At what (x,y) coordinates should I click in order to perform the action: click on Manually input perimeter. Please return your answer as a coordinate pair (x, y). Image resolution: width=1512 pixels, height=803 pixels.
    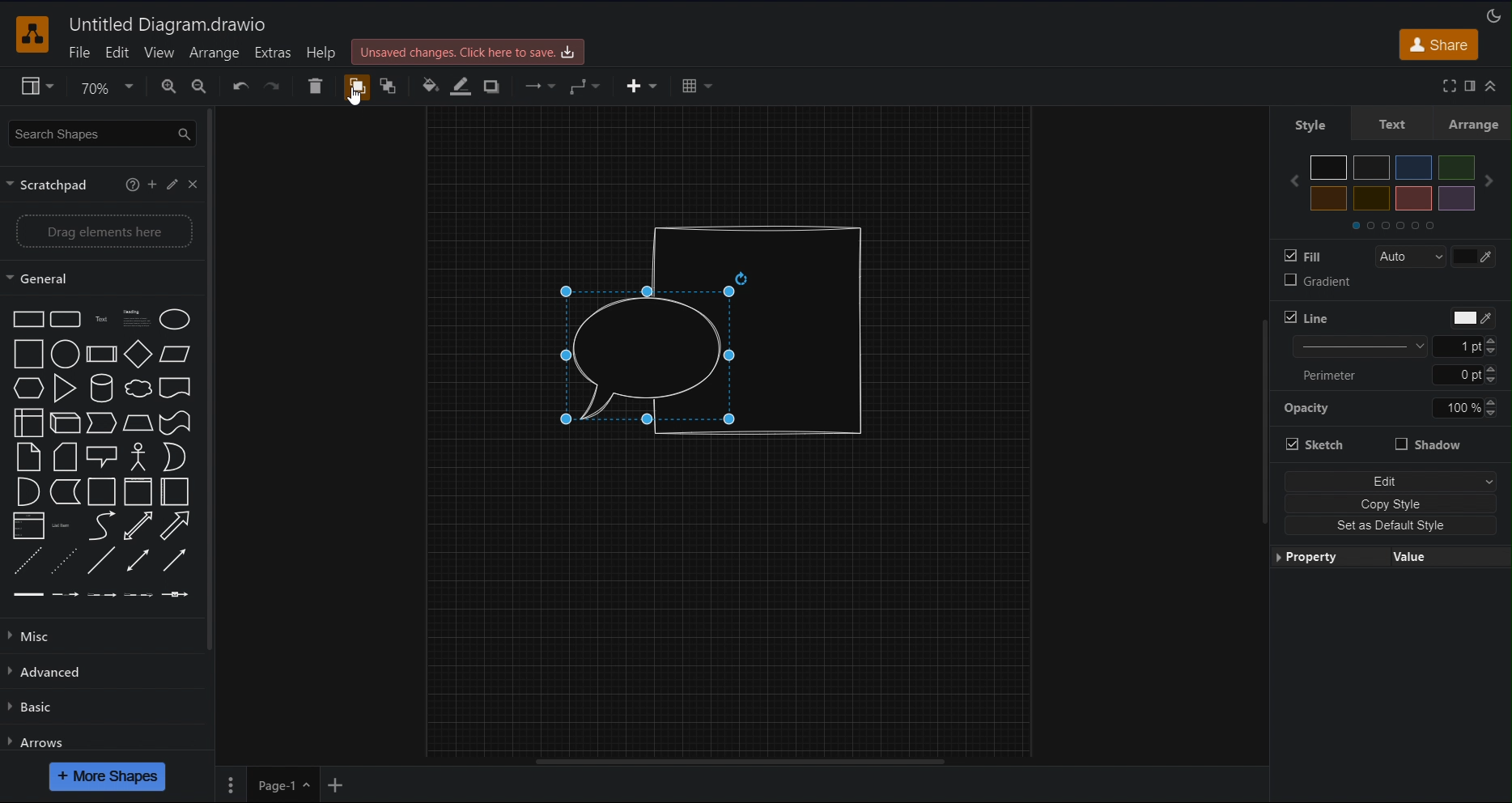
    Looking at the image, I should click on (1457, 375).